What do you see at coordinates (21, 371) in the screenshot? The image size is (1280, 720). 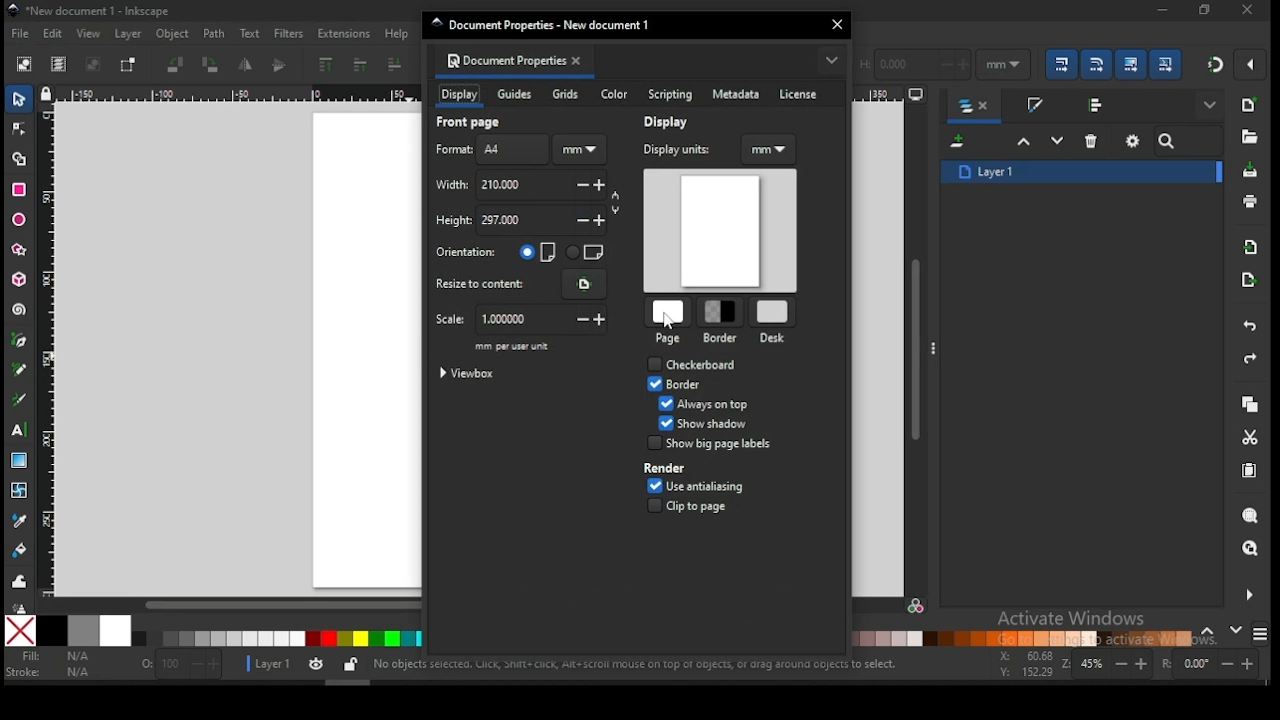 I see `pencil tool` at bounding box center [21, 371].